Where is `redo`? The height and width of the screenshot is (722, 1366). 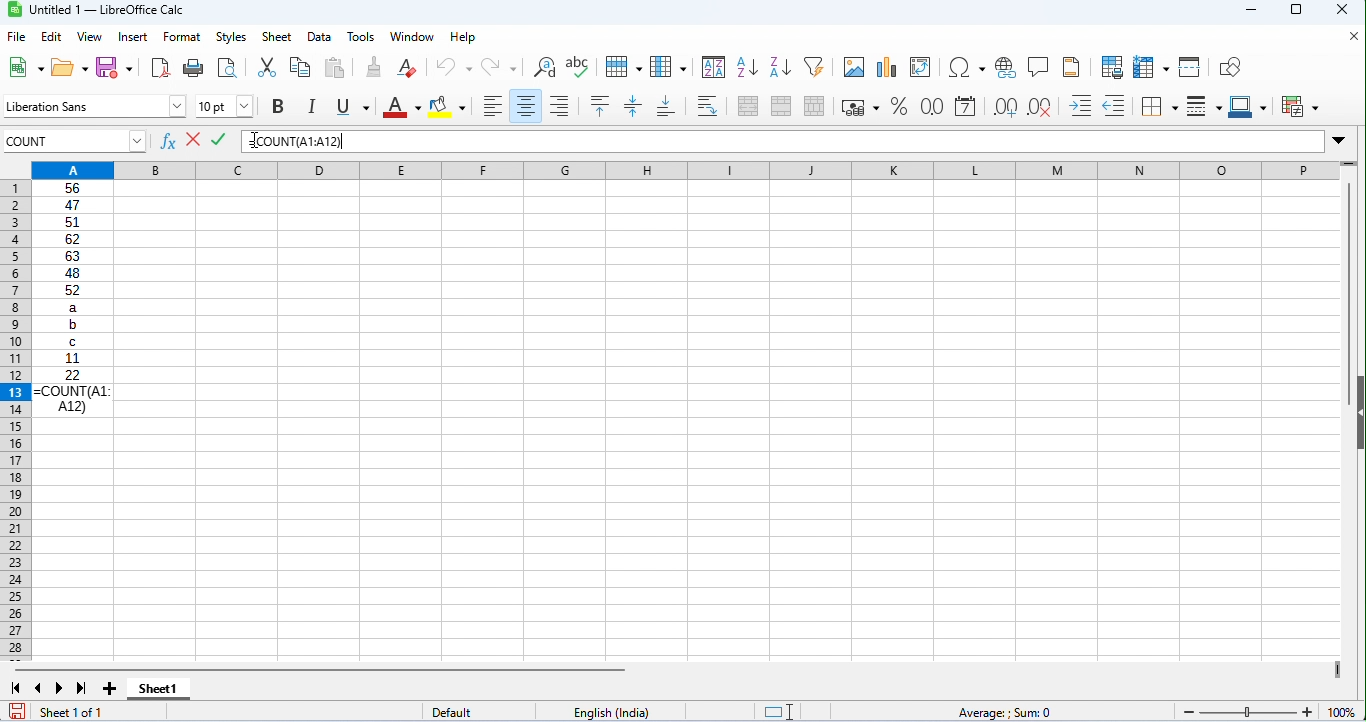
redo is located at coordinates (499, 68).